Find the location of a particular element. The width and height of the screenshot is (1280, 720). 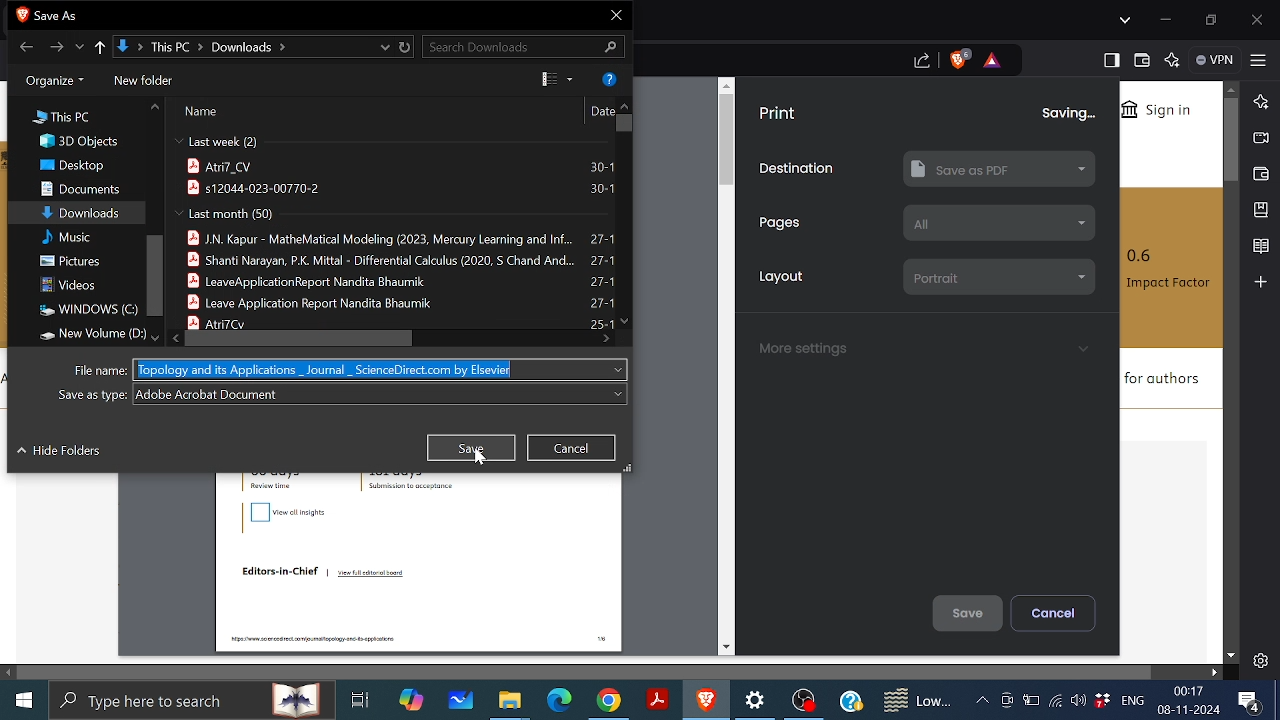

Hide folders is located at coordinates (60, 450).